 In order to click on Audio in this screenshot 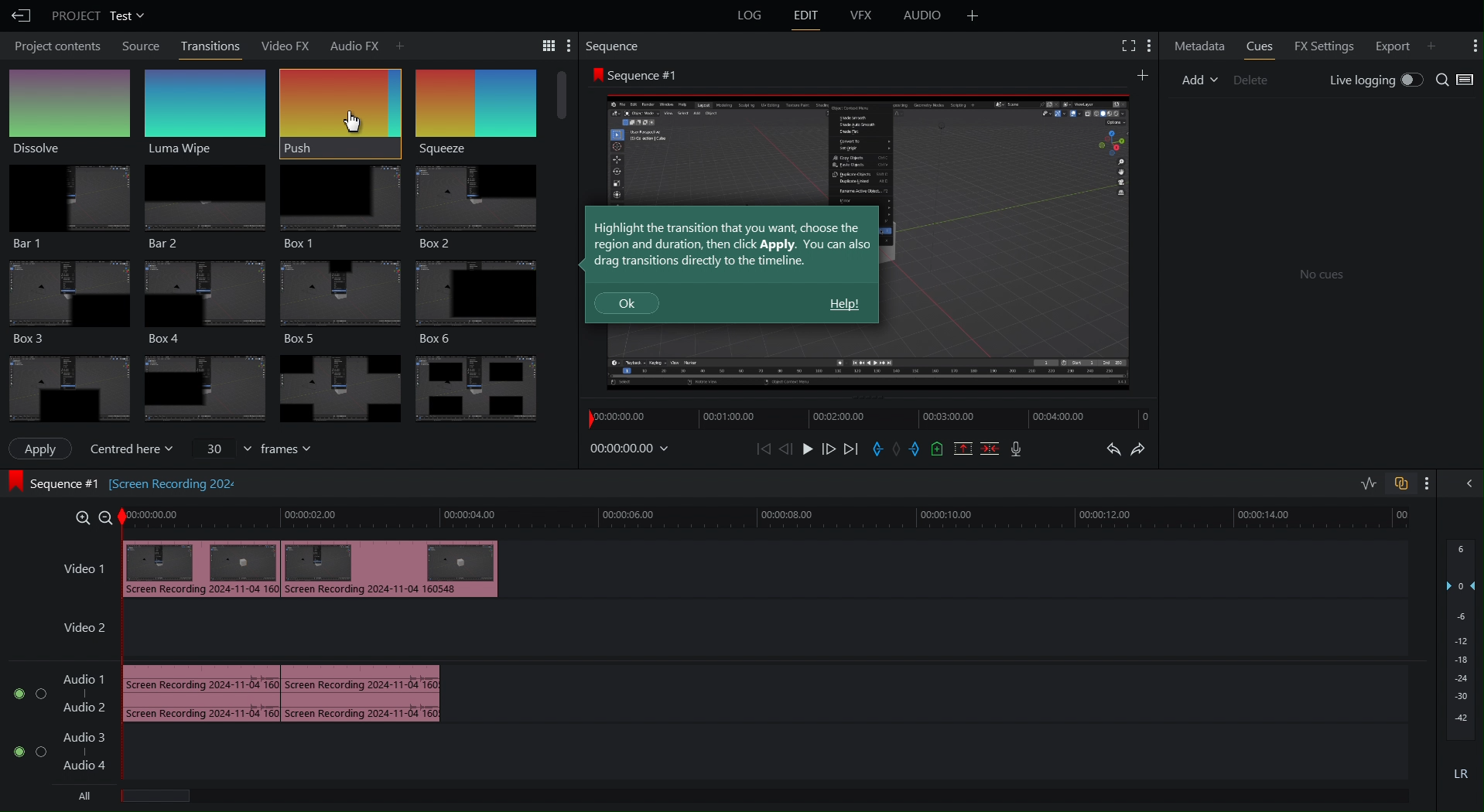, I will do `click(926, 15)`.